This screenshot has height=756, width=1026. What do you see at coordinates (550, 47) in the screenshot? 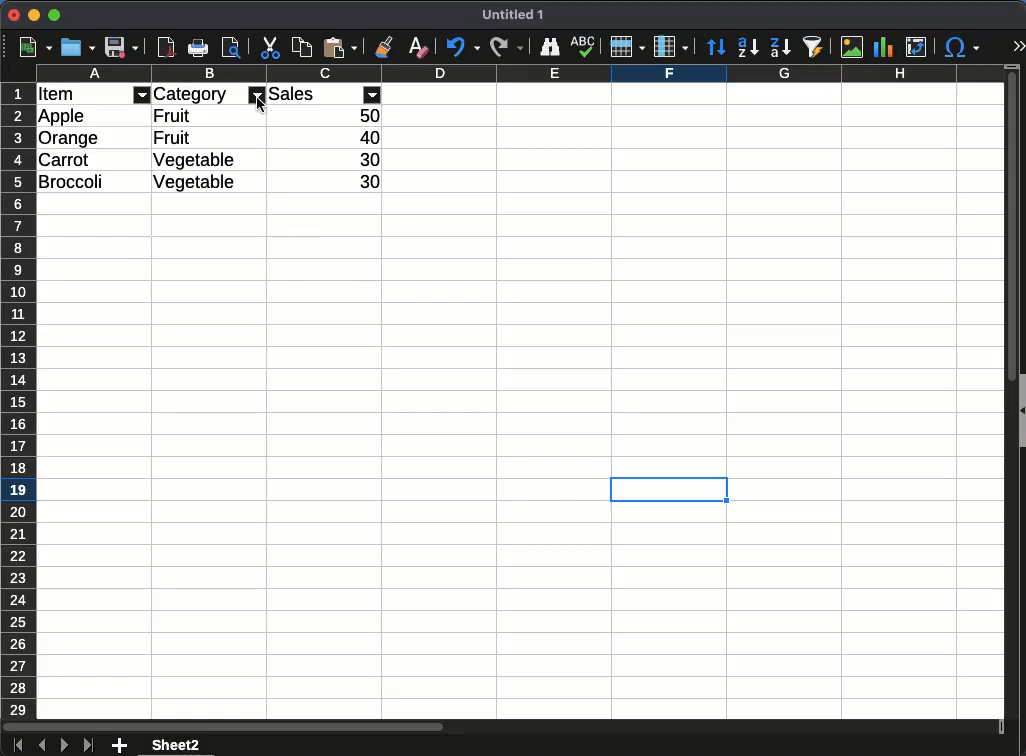
I see `finder` at bounding box center [550, 47].